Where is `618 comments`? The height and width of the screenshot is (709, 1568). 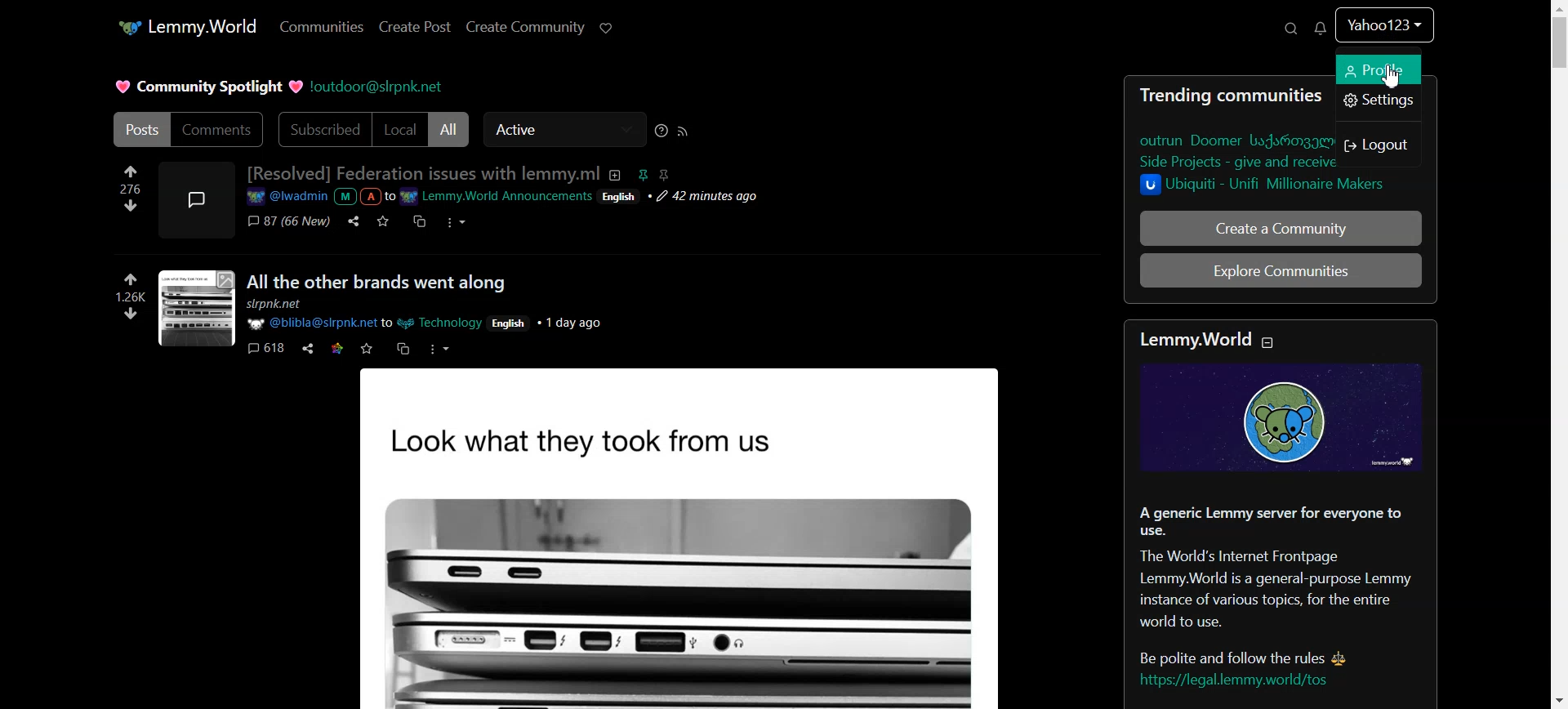 618 comments is located at coordinates (264, 350).